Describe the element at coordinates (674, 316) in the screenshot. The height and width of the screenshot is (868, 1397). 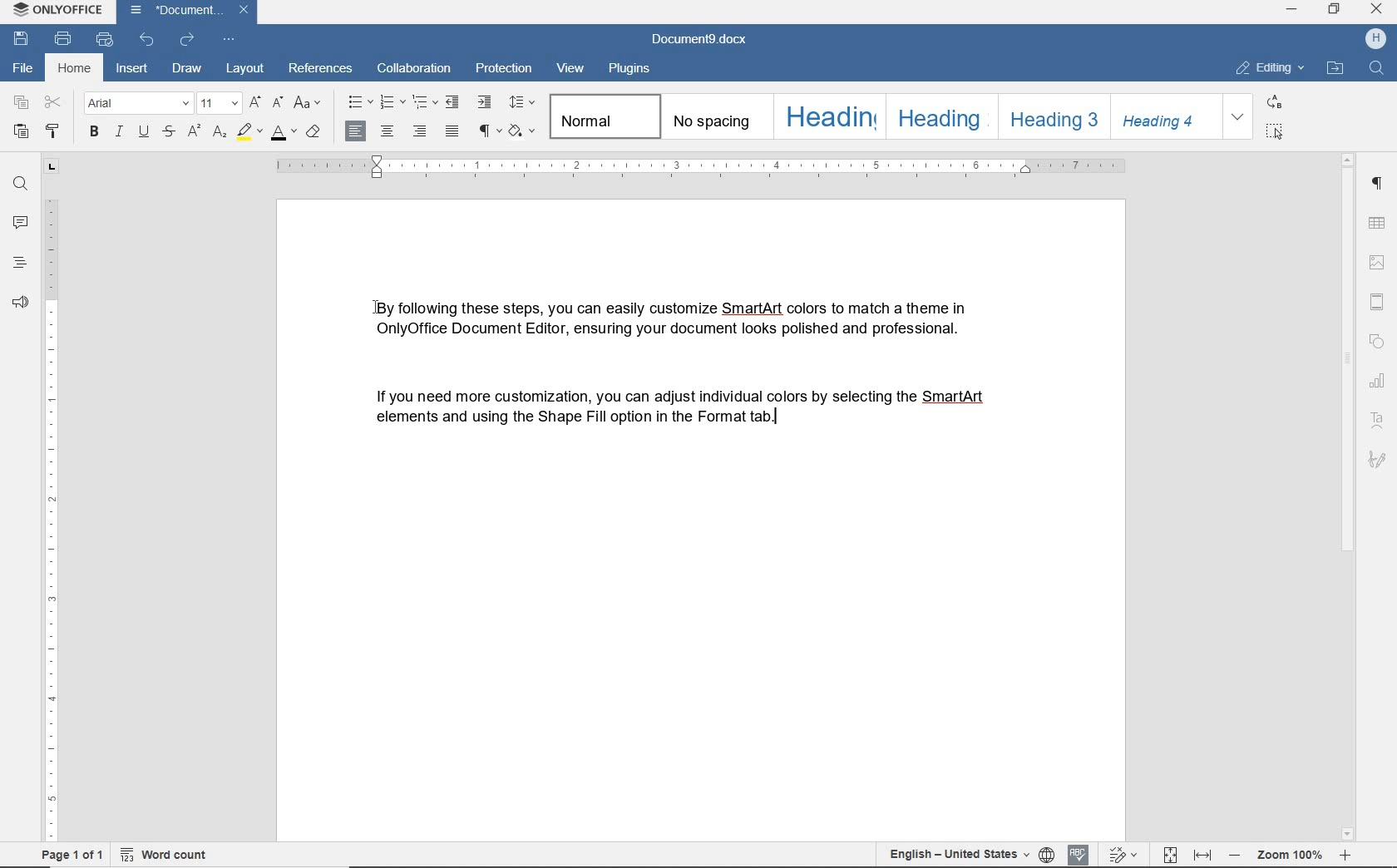
I see `text` at that location.